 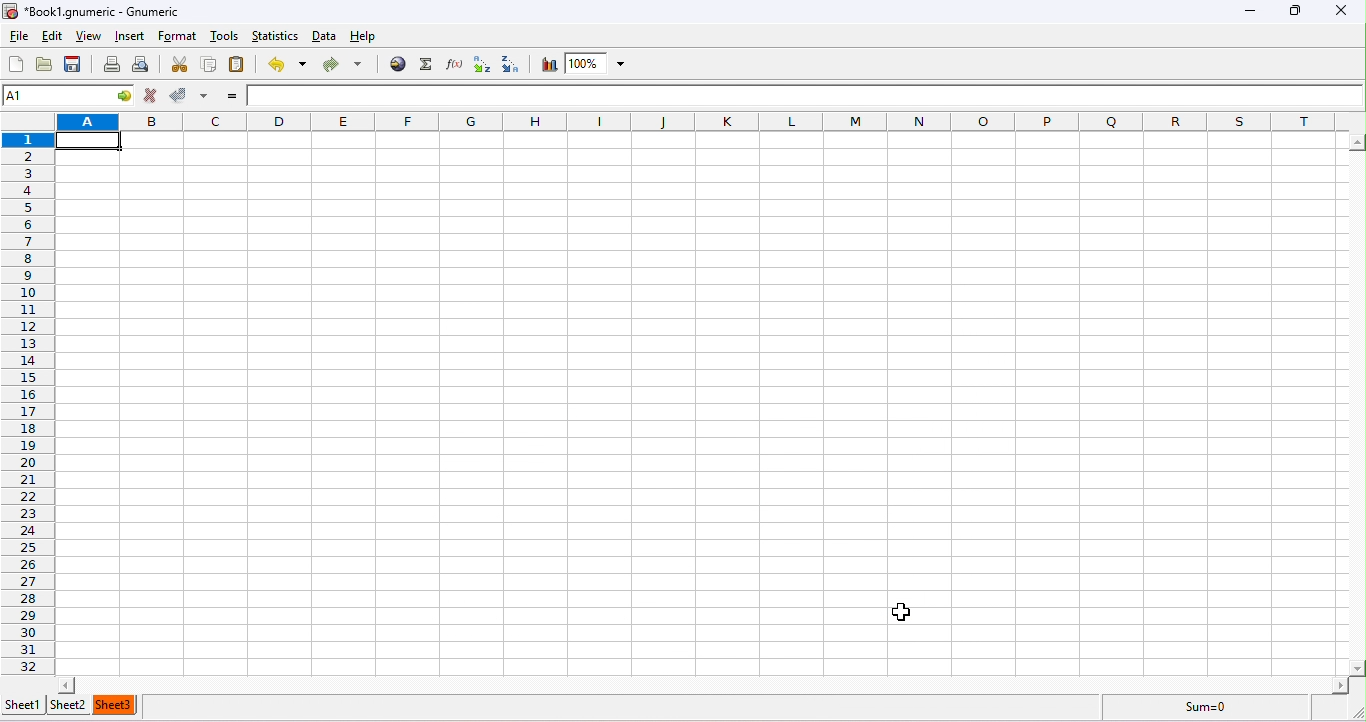 I want to click on chart, so click(x=547, y=63).